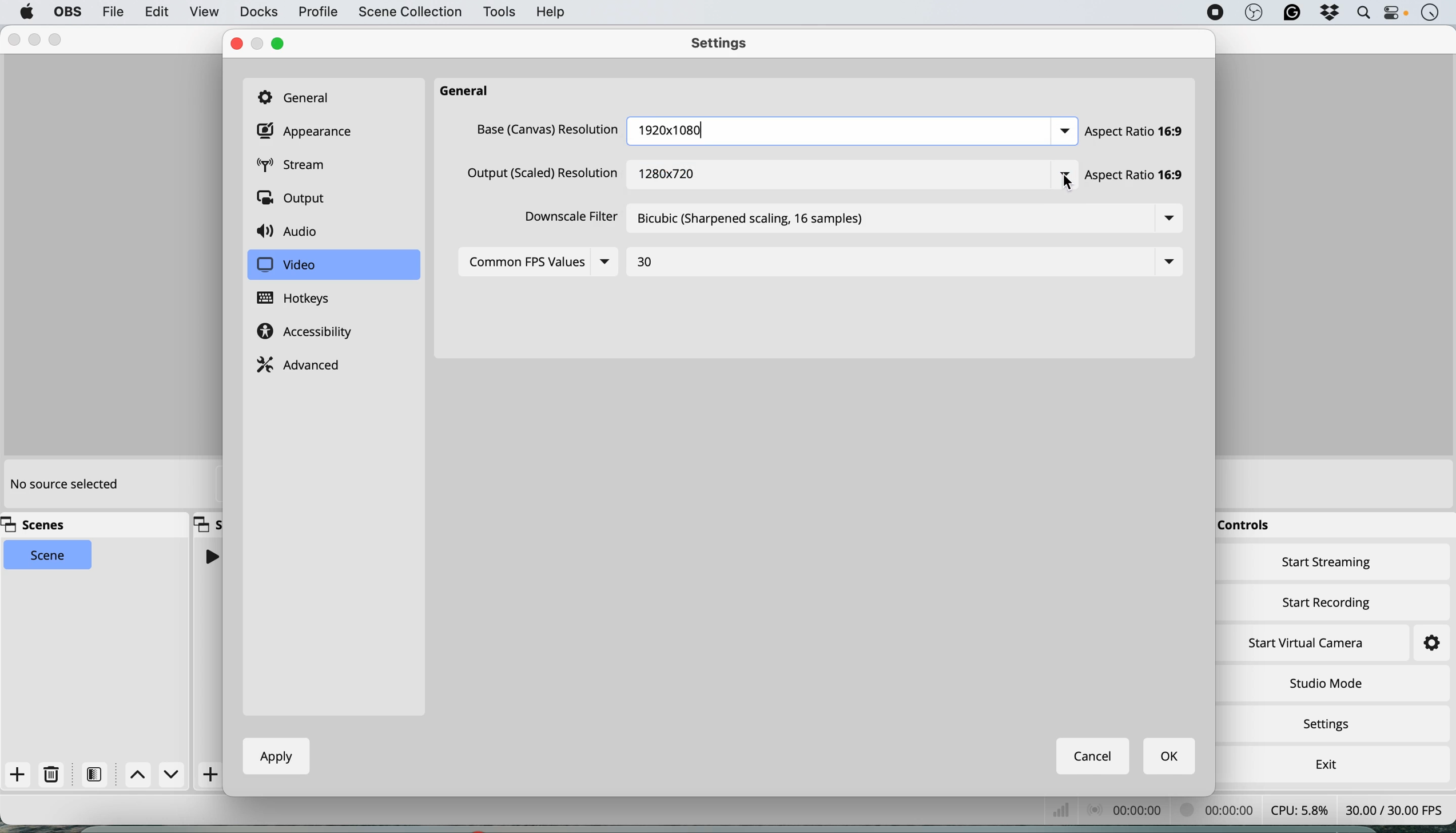  Describe the element at coordinates (1327, 565) in the screenshot. I see `start streaming` at that location.